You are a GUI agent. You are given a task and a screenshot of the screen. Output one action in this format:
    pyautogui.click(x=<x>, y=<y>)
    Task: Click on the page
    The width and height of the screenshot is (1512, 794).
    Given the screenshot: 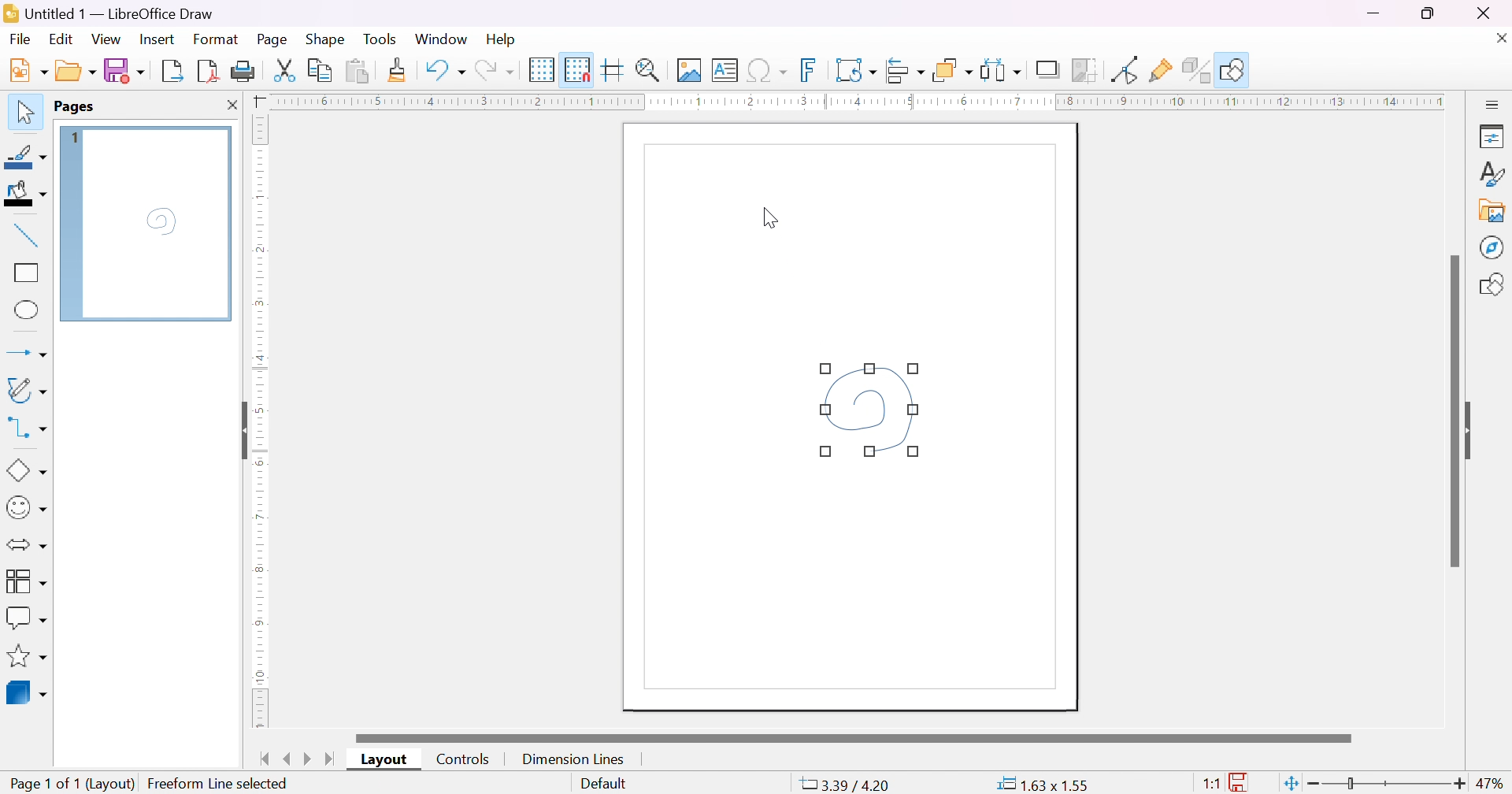 What is the action you would take?
    pyautogui.click(x=275, y=38)
    